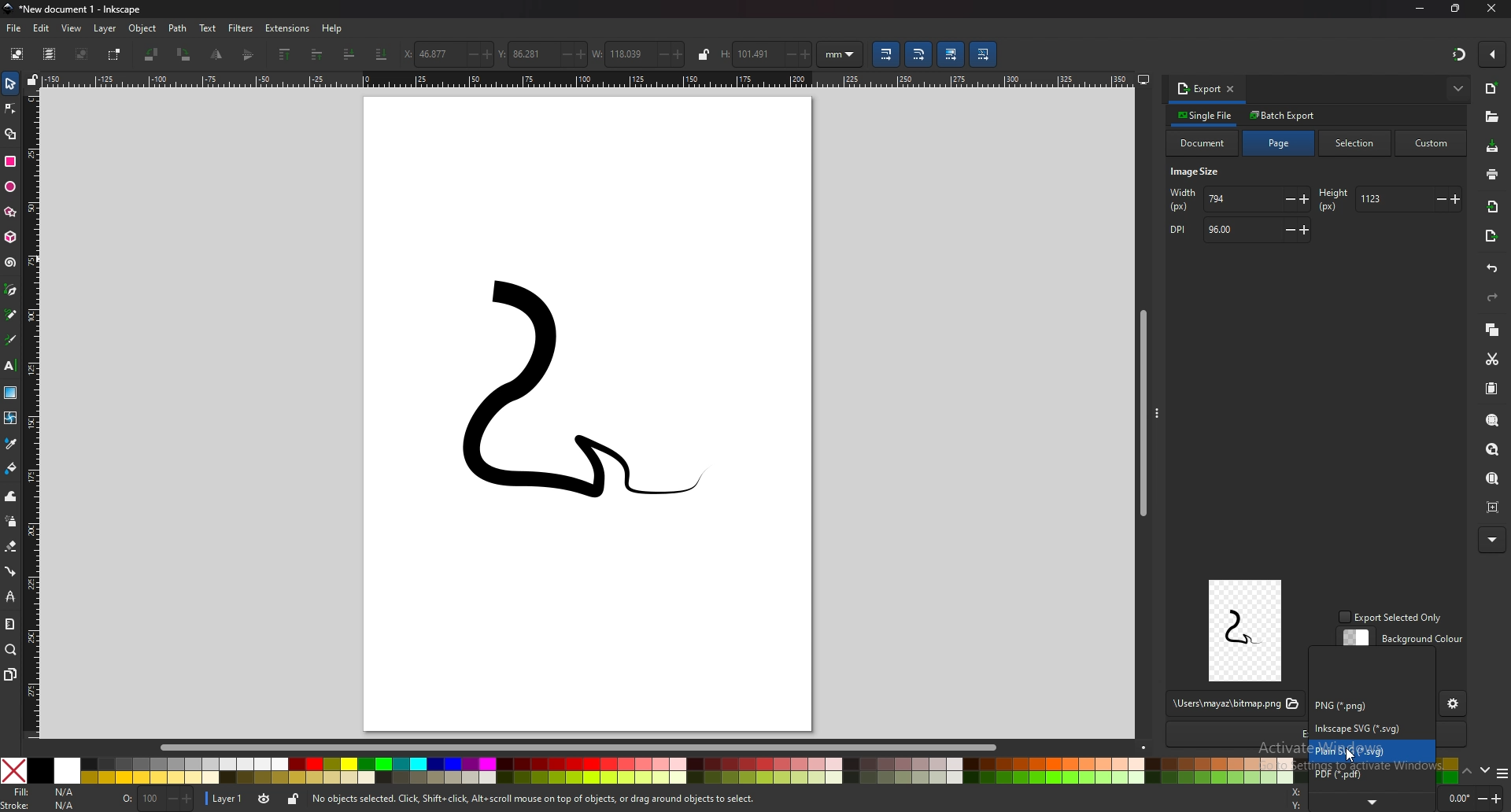 The height and width of the screenshot is (812, 1511). Describe the element at coordinates (1493, 147) in the screenshot. I see `save` at that location.